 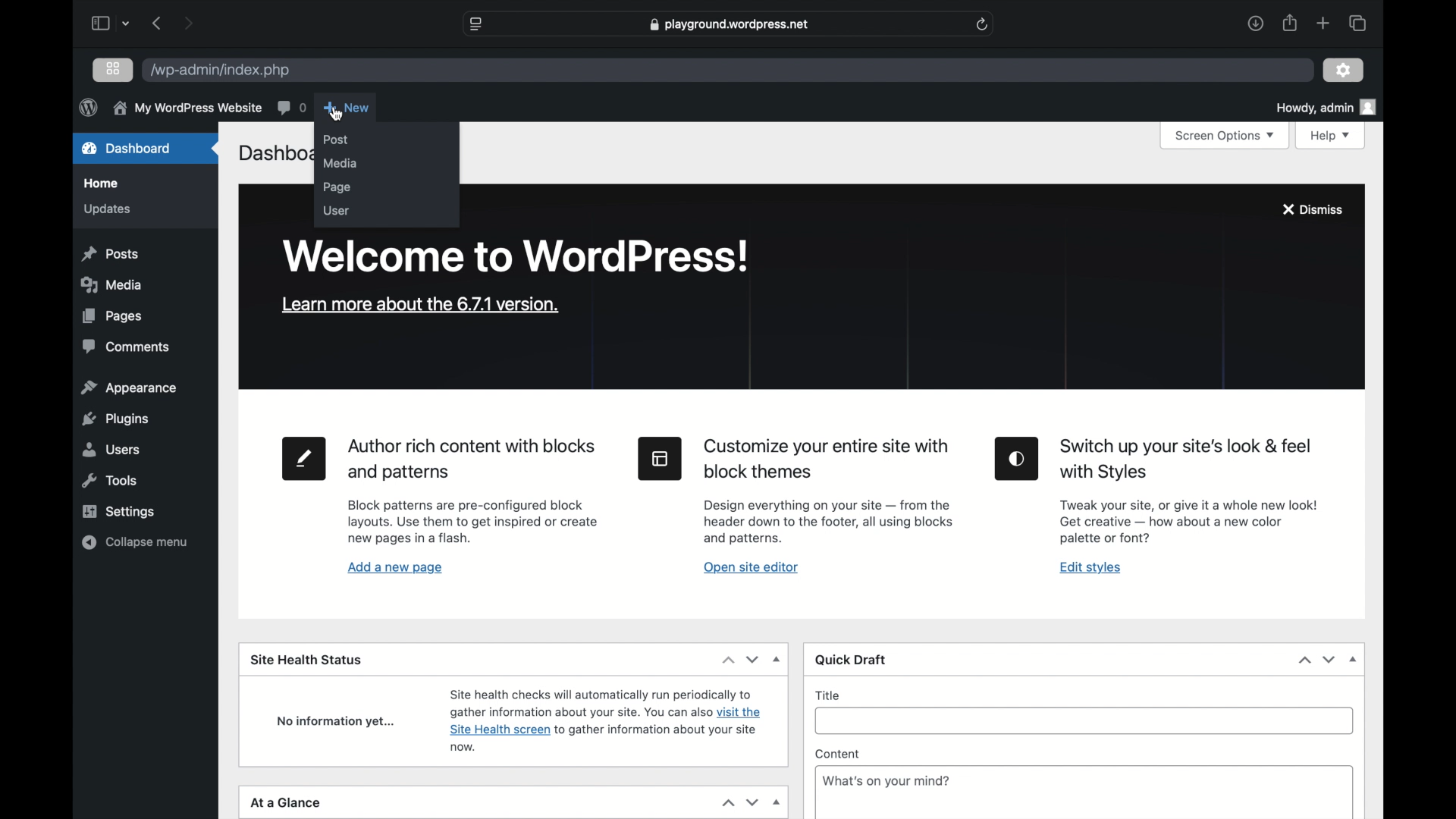 I want to click on my wordpress website, so click(x=187, y=109).